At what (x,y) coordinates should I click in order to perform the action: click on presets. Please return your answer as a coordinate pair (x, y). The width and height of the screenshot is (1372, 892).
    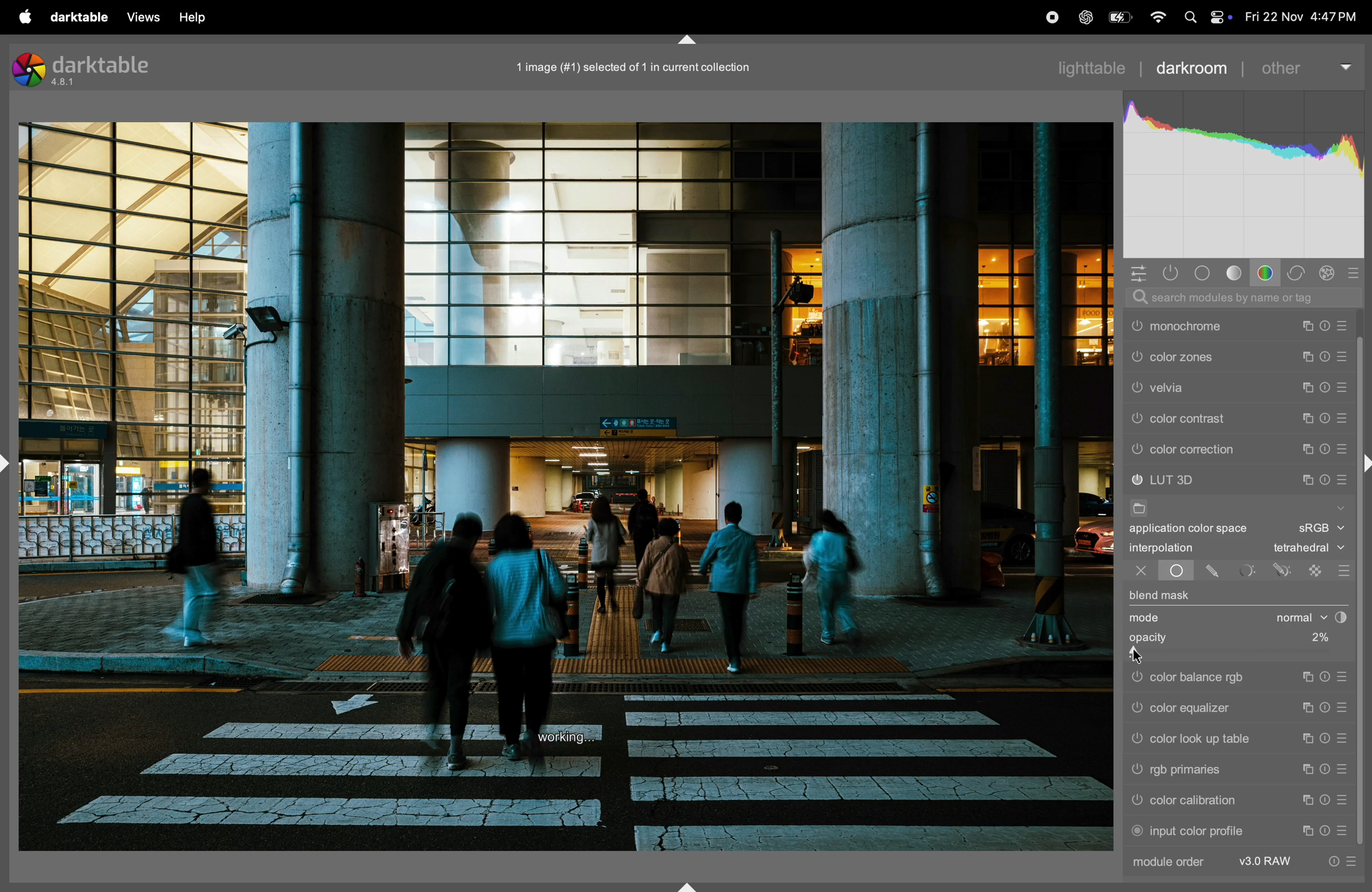
    Looking at the image, I should click on (1347, 476).